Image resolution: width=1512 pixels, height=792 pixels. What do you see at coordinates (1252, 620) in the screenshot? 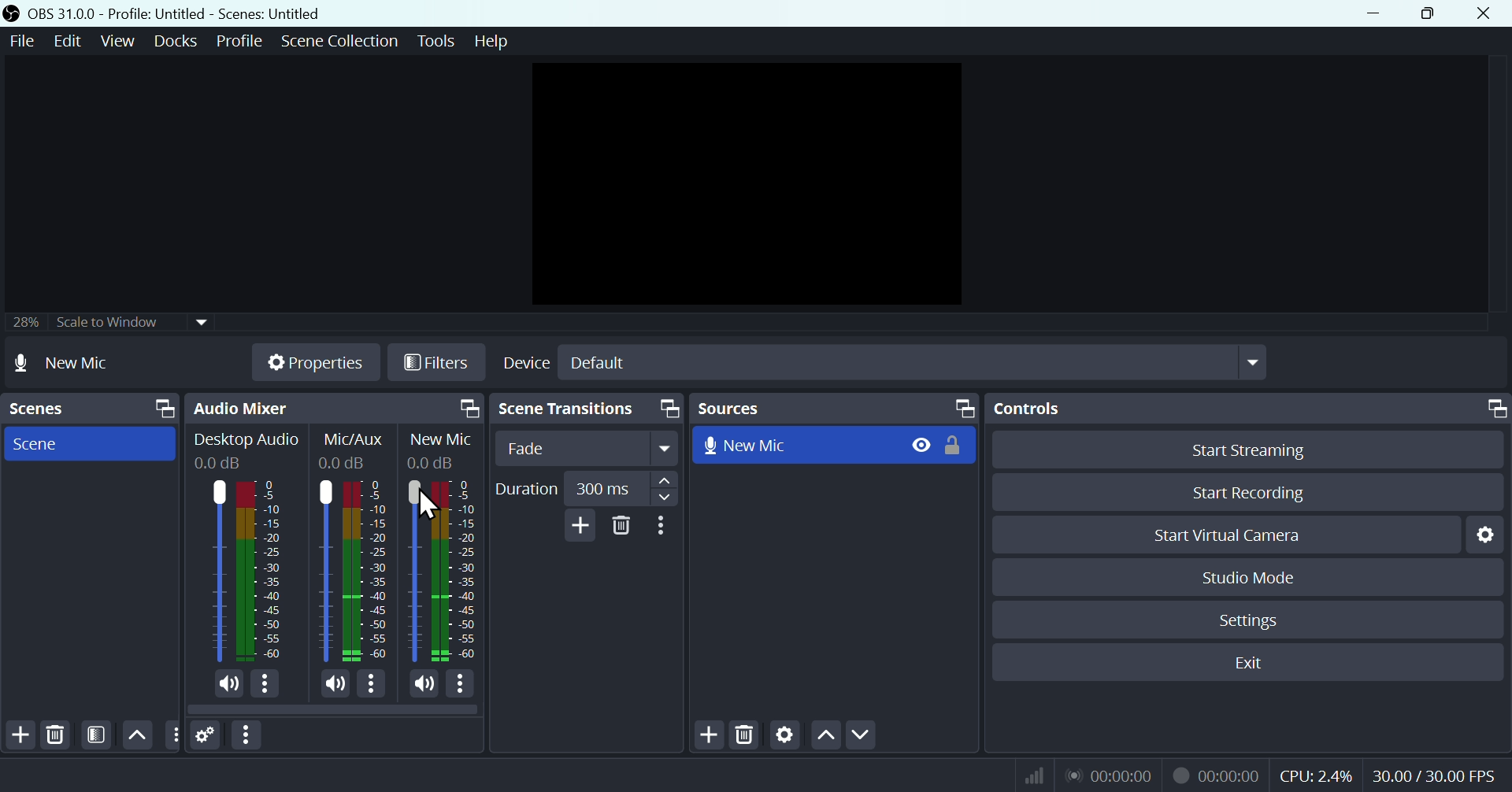
I see `Settings` at bounding box center [1252, 620].